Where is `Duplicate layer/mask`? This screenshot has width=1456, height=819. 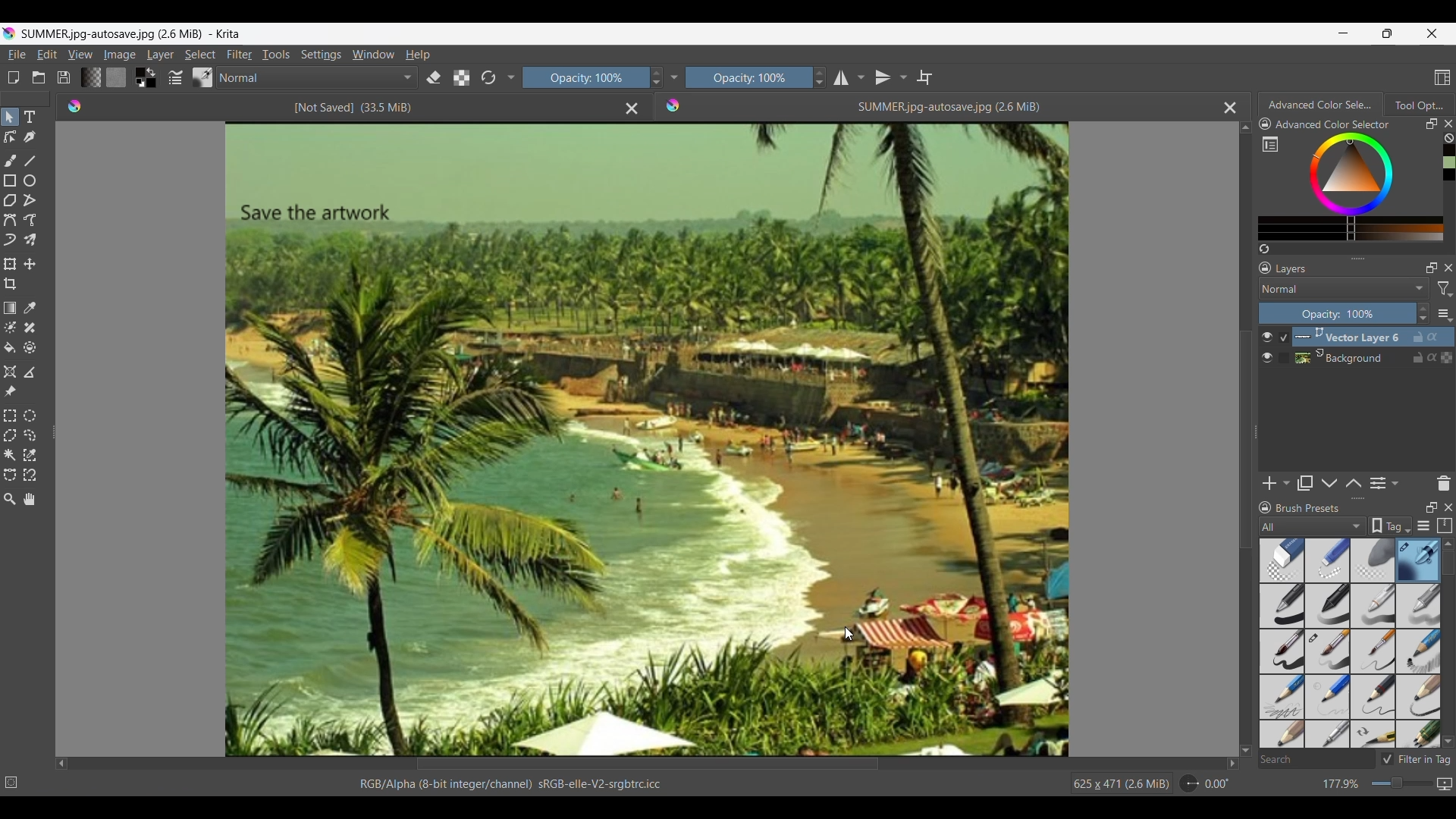 Duplicate layer/mask is located at coordinates (1304, 483).